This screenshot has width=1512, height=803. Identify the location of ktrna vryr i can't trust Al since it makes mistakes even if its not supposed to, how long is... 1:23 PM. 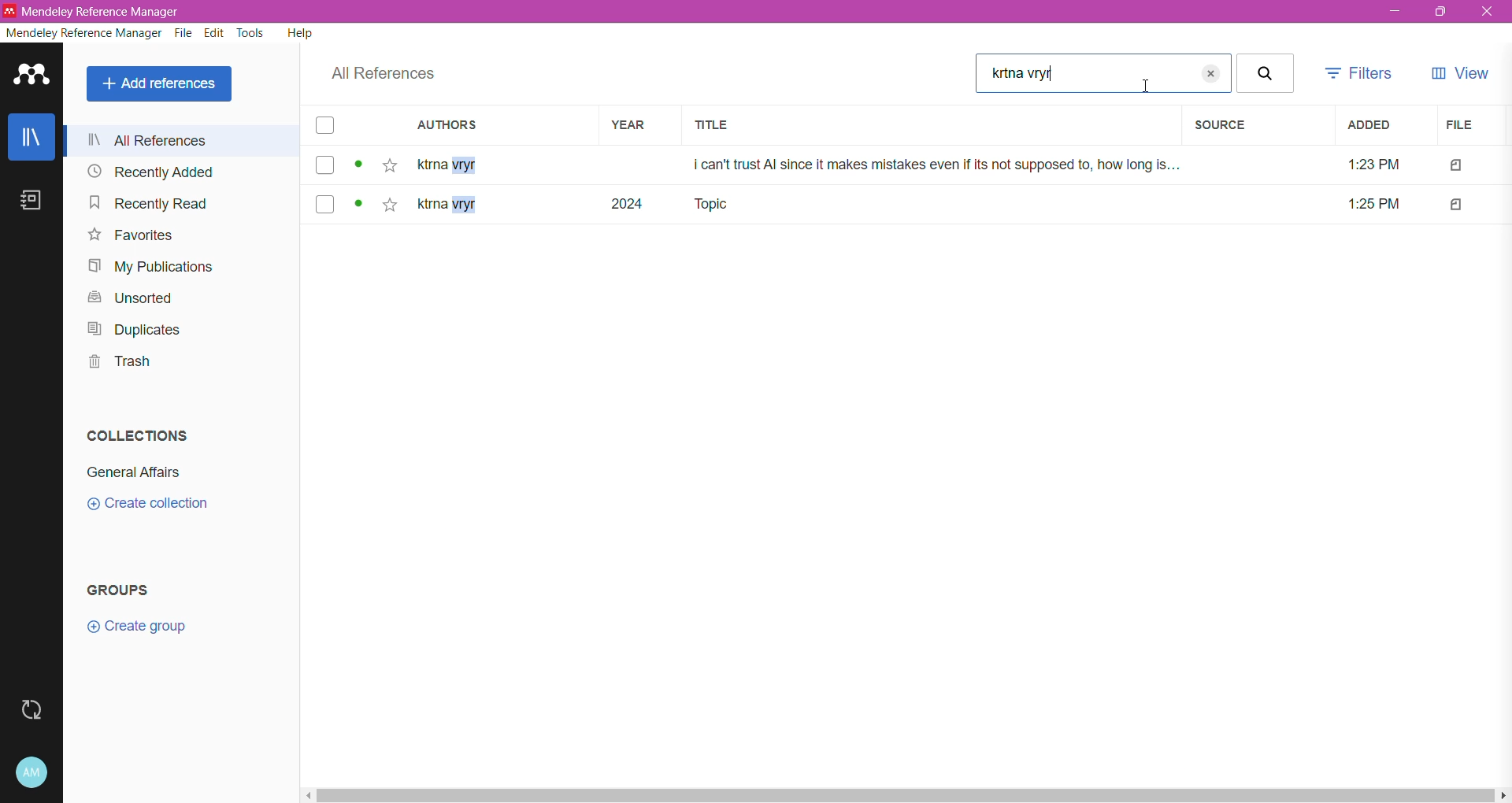
(910, 165).